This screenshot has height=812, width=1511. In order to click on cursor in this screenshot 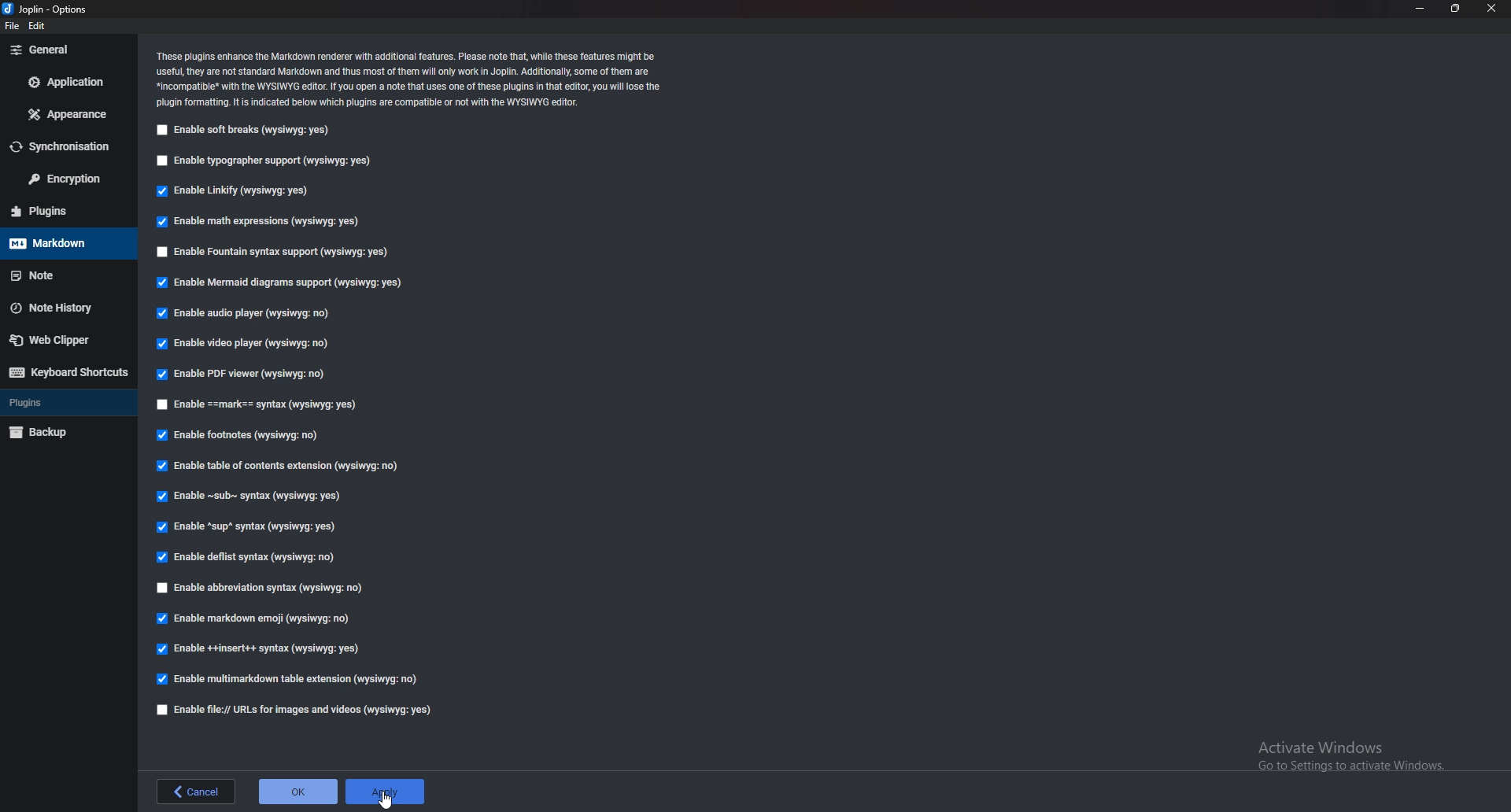, I will do `click(390, 800)`.